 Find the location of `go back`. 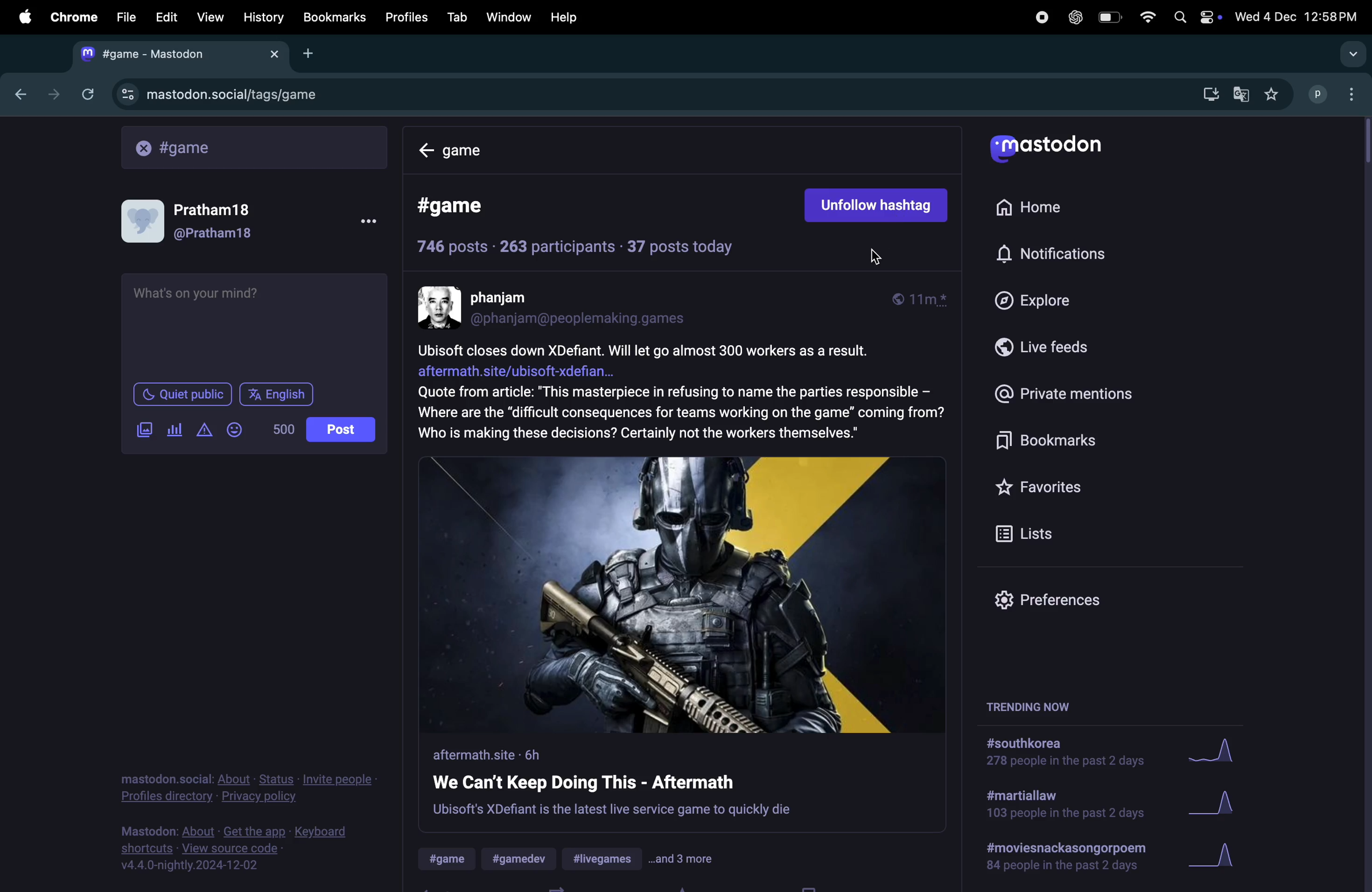

go back is located at coordinates (18, 95).